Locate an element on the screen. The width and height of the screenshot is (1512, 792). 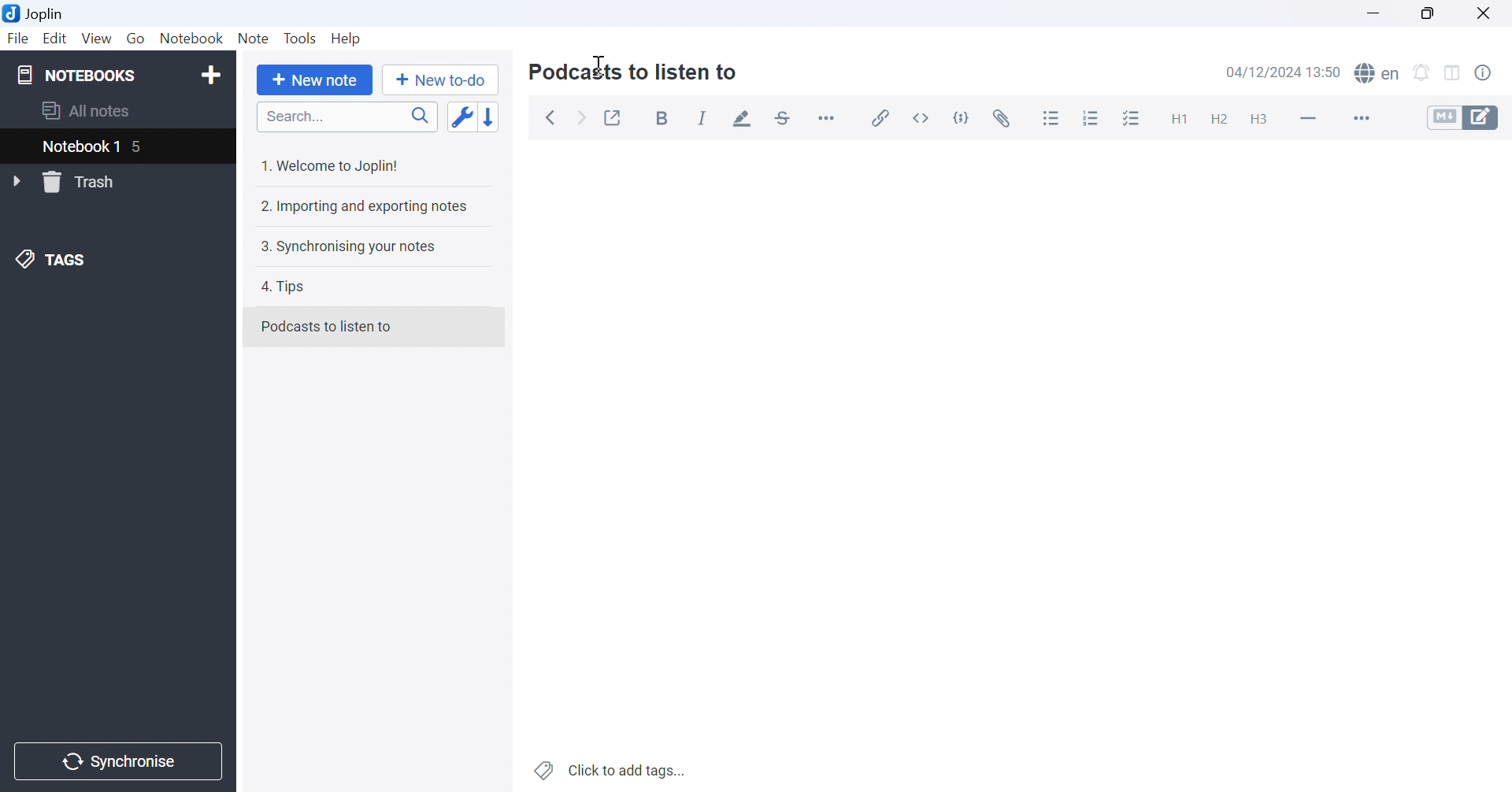
Set alarm is located at coordinates (1421, 72).